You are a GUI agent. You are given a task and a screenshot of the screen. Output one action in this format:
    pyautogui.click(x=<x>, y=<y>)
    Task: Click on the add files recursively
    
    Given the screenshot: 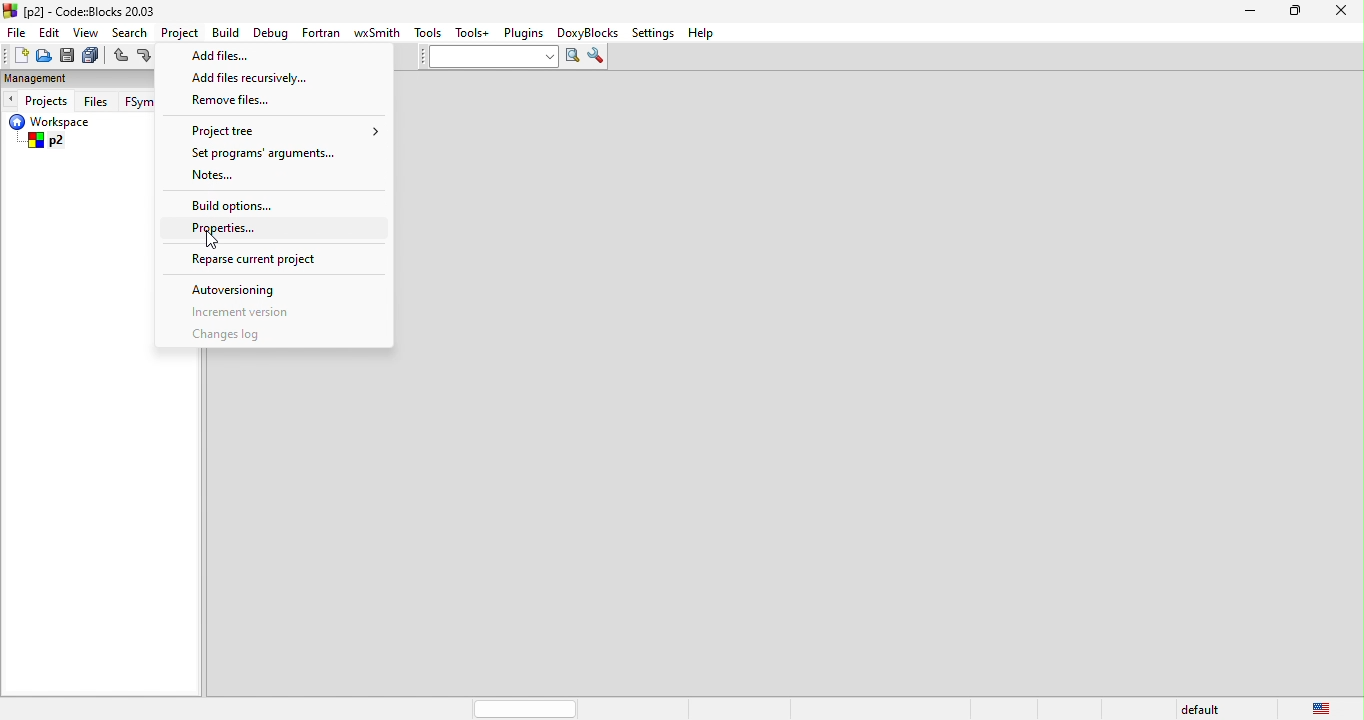 What is the action you would take?
    pyautogui.click(x=264, y=78)
    